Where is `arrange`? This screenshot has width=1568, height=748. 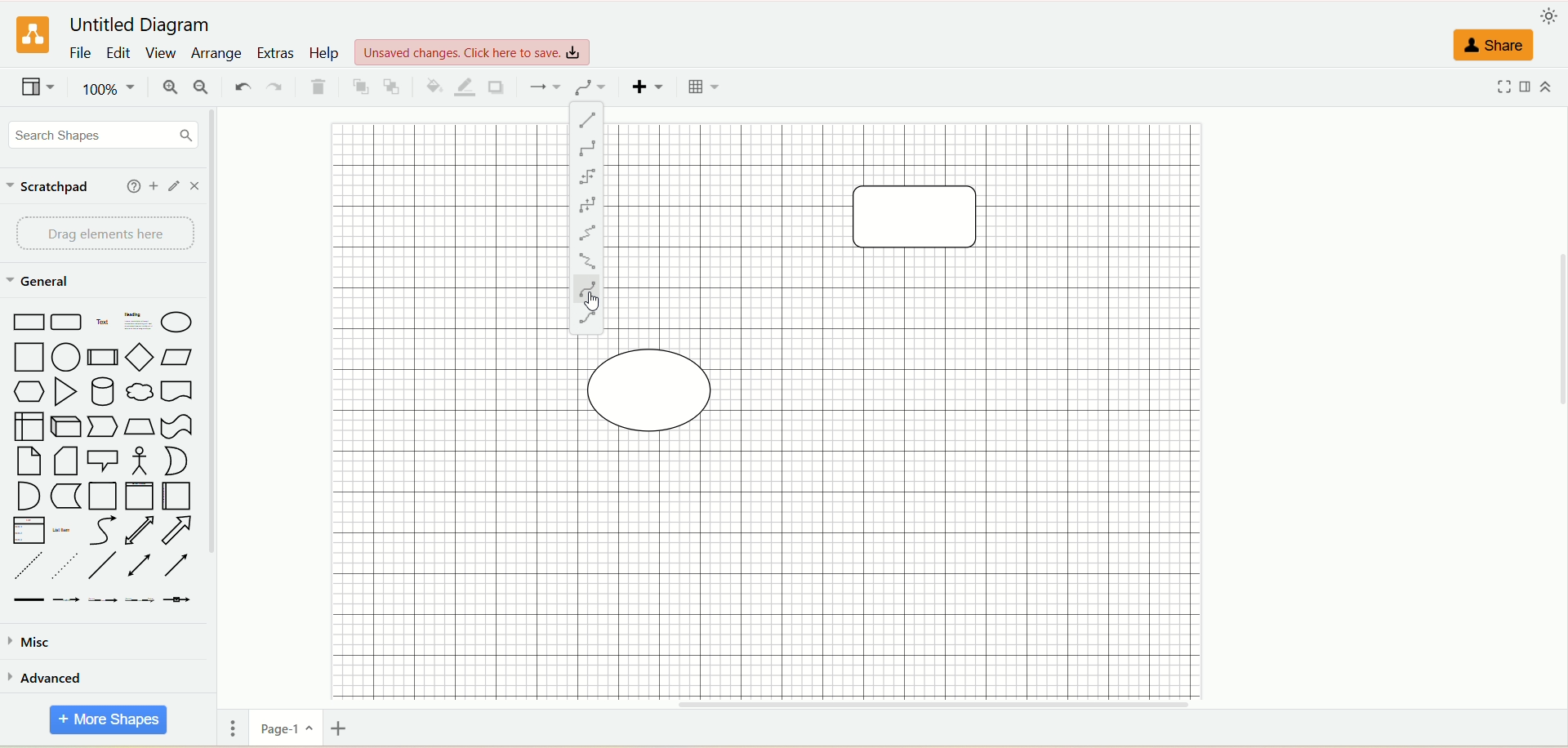 arrange is located at coordinates (217, 52).